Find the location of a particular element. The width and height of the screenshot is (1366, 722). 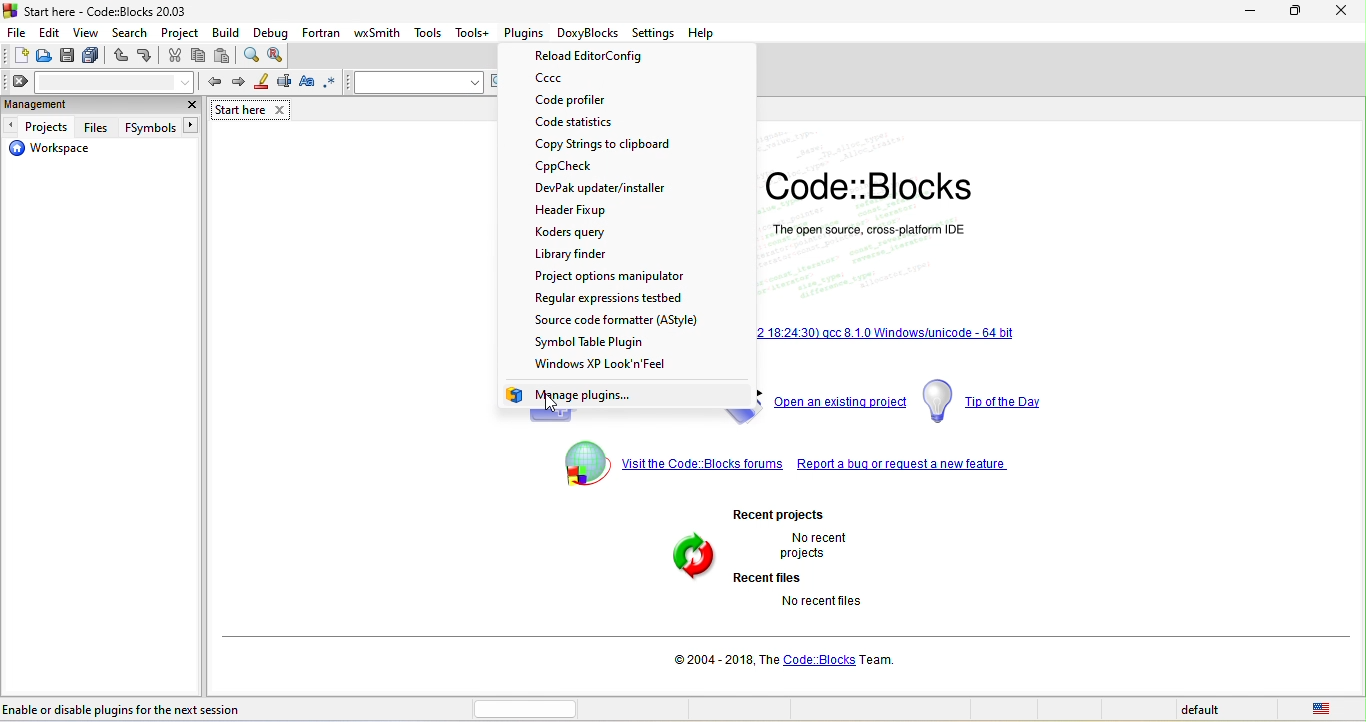

close is located at coordinates (1341, 12).